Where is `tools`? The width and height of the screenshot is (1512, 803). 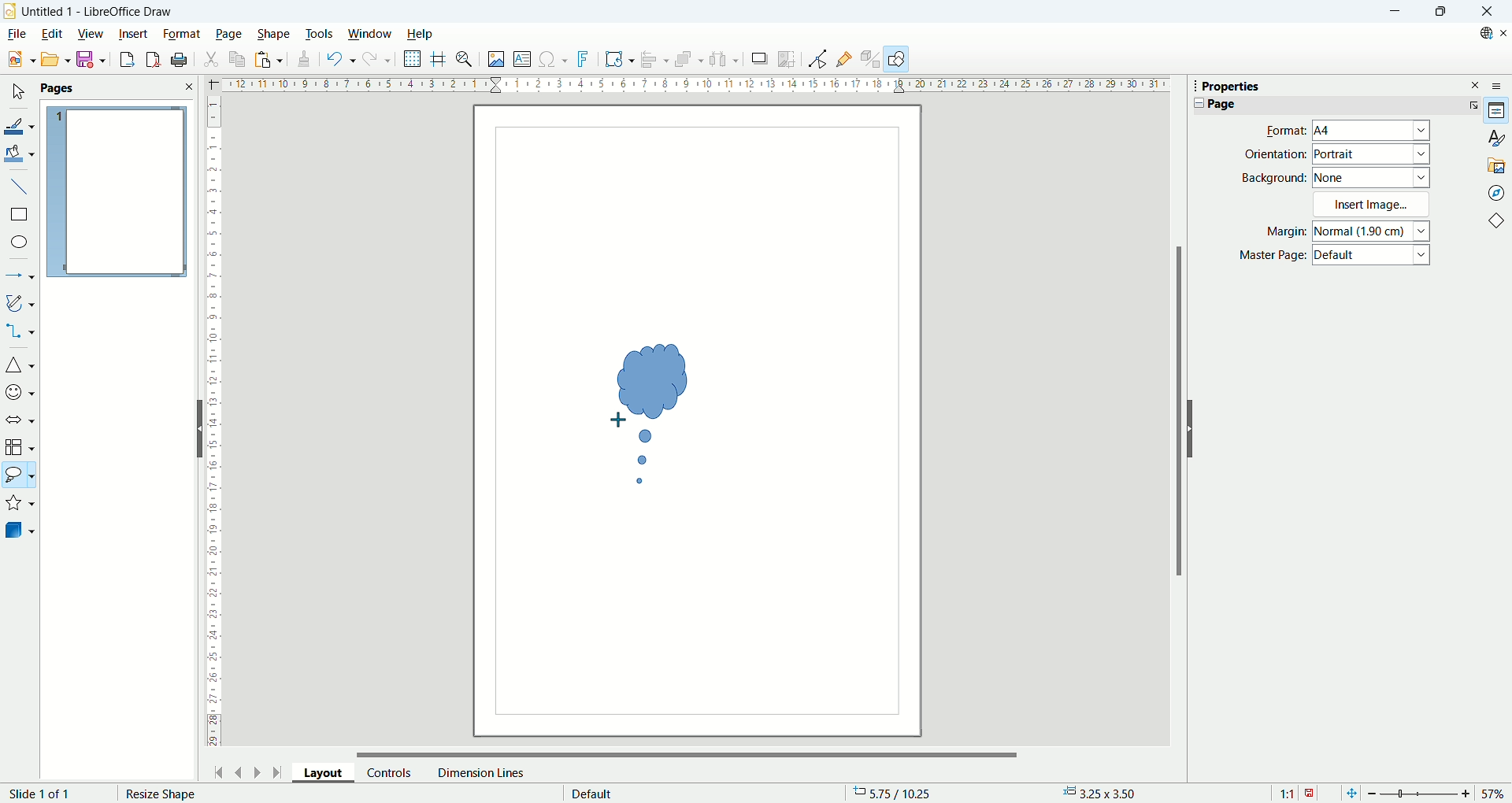 tools is located at coordinates (321, 32).